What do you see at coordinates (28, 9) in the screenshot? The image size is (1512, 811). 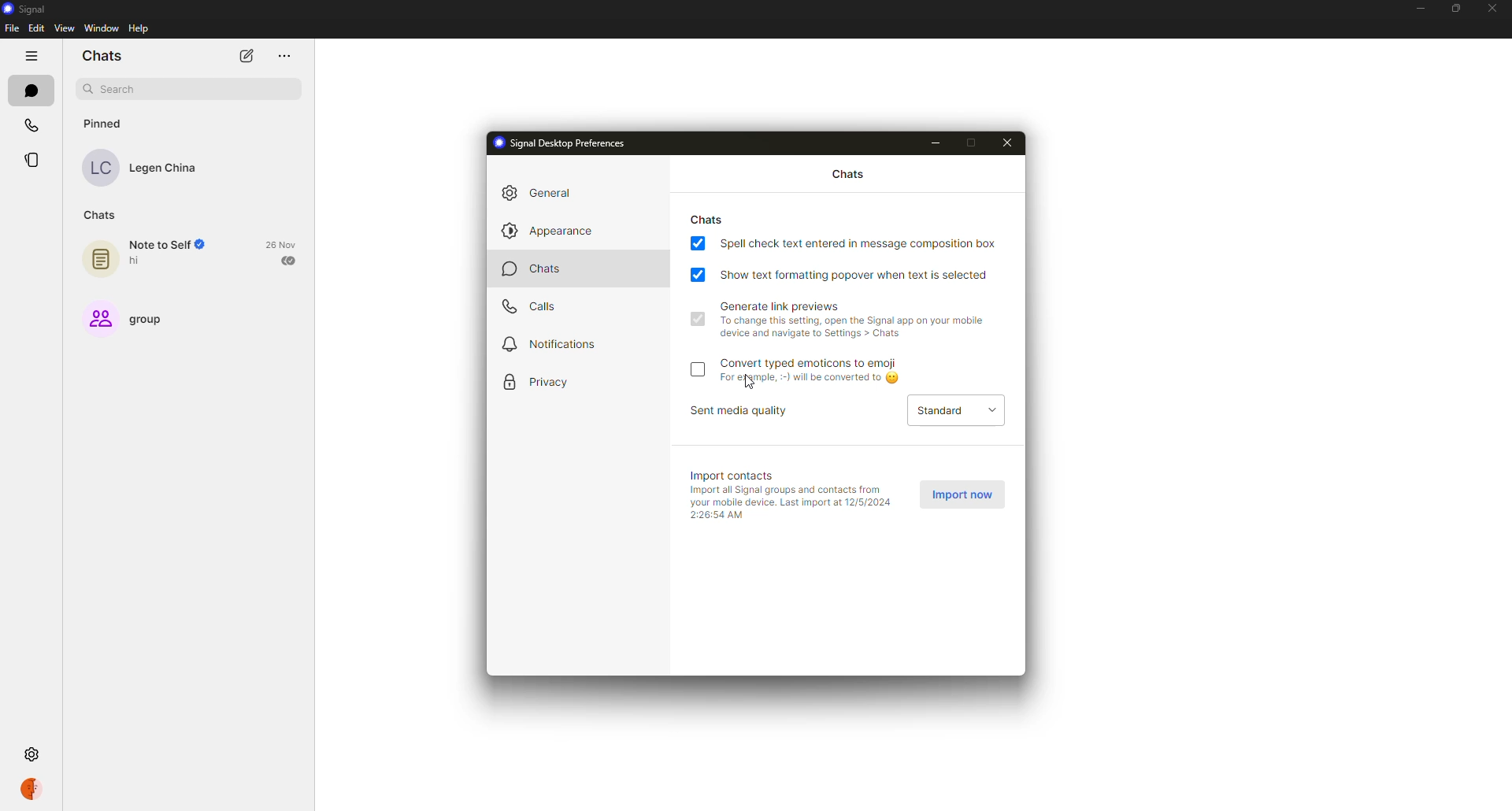 I see `signal` at bounding box center [28, 9].